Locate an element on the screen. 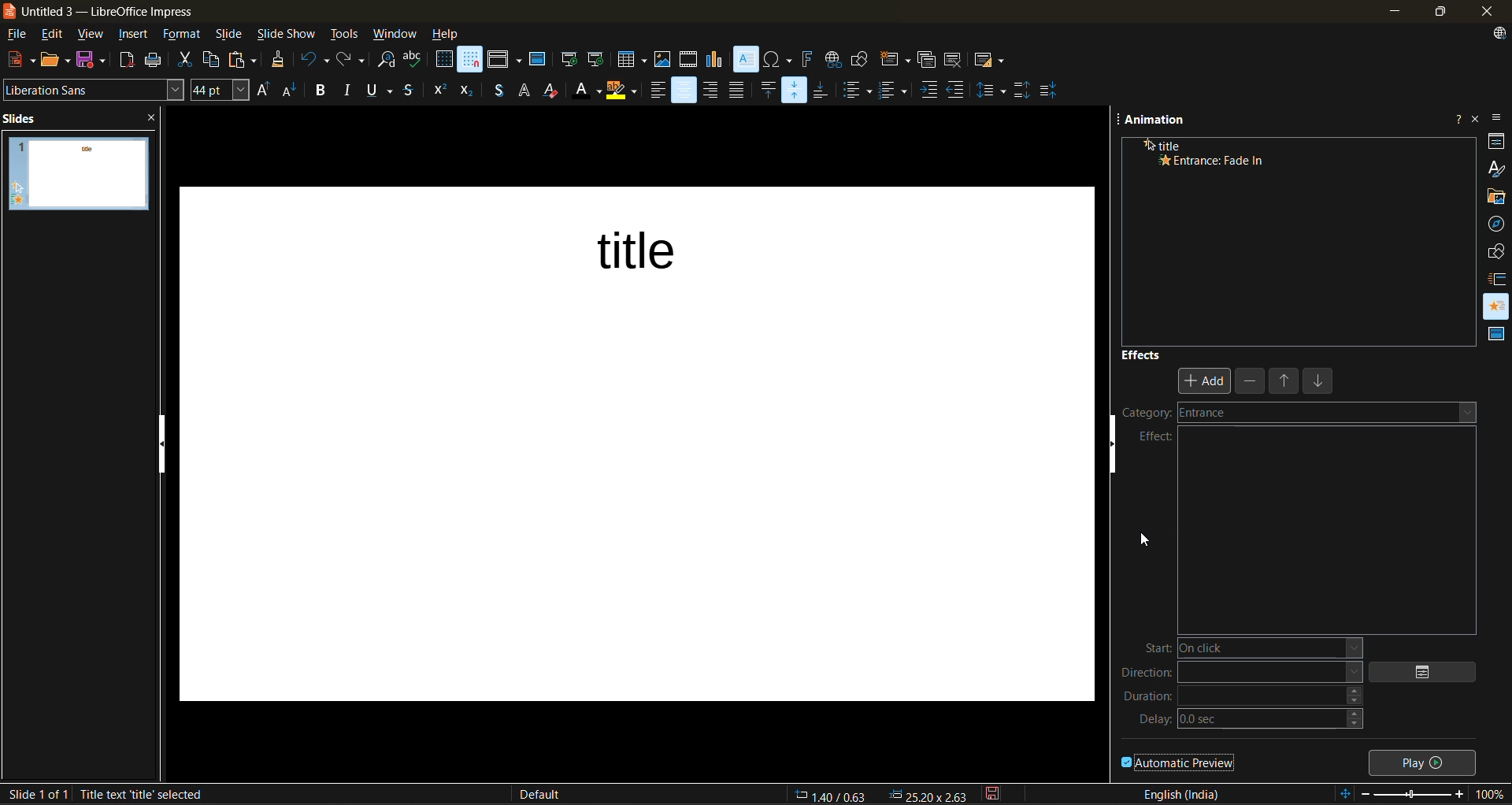  open is located at coordinates (57, 59).